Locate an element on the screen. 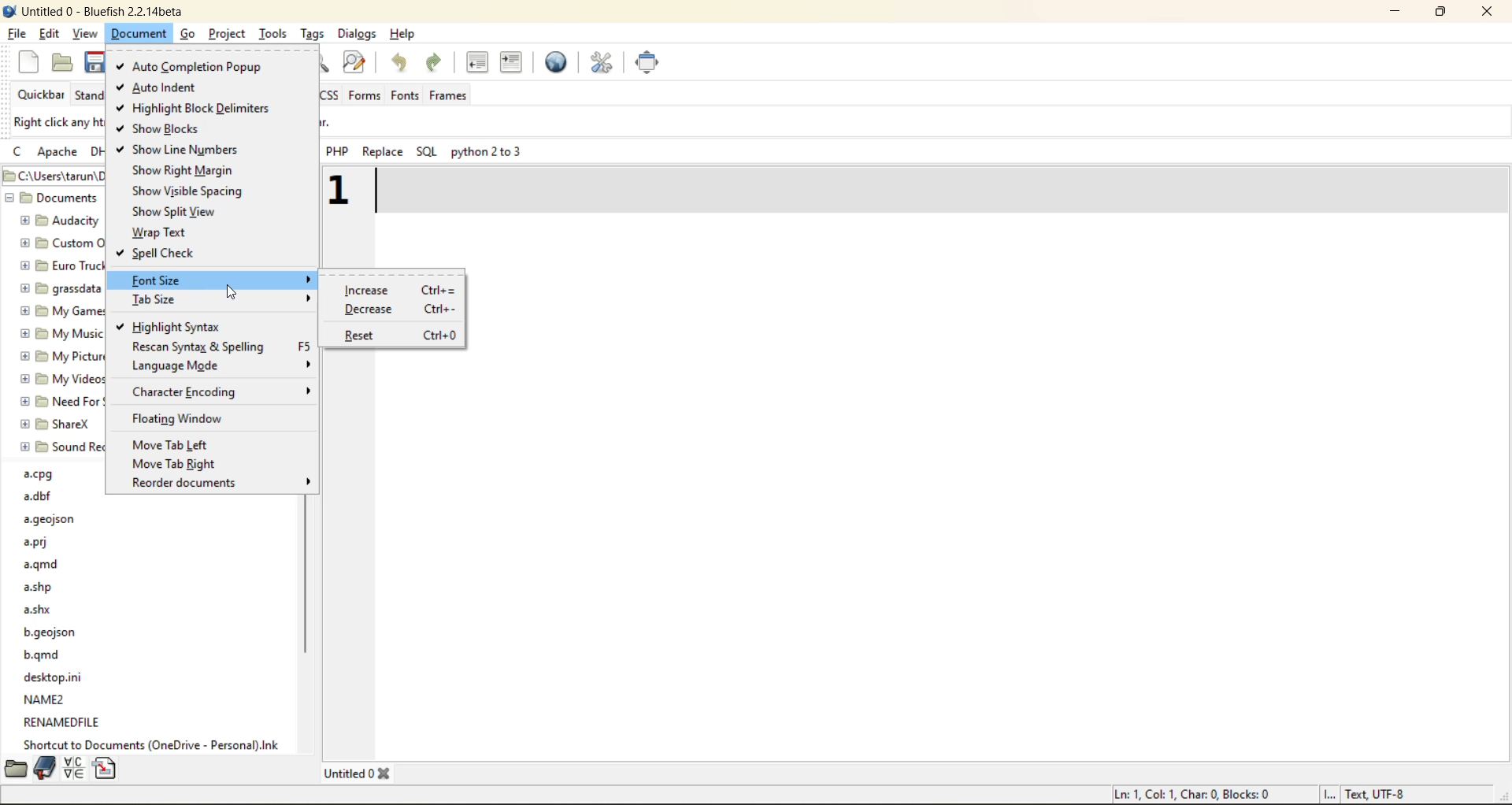  file is located at coordinates (16, 33).